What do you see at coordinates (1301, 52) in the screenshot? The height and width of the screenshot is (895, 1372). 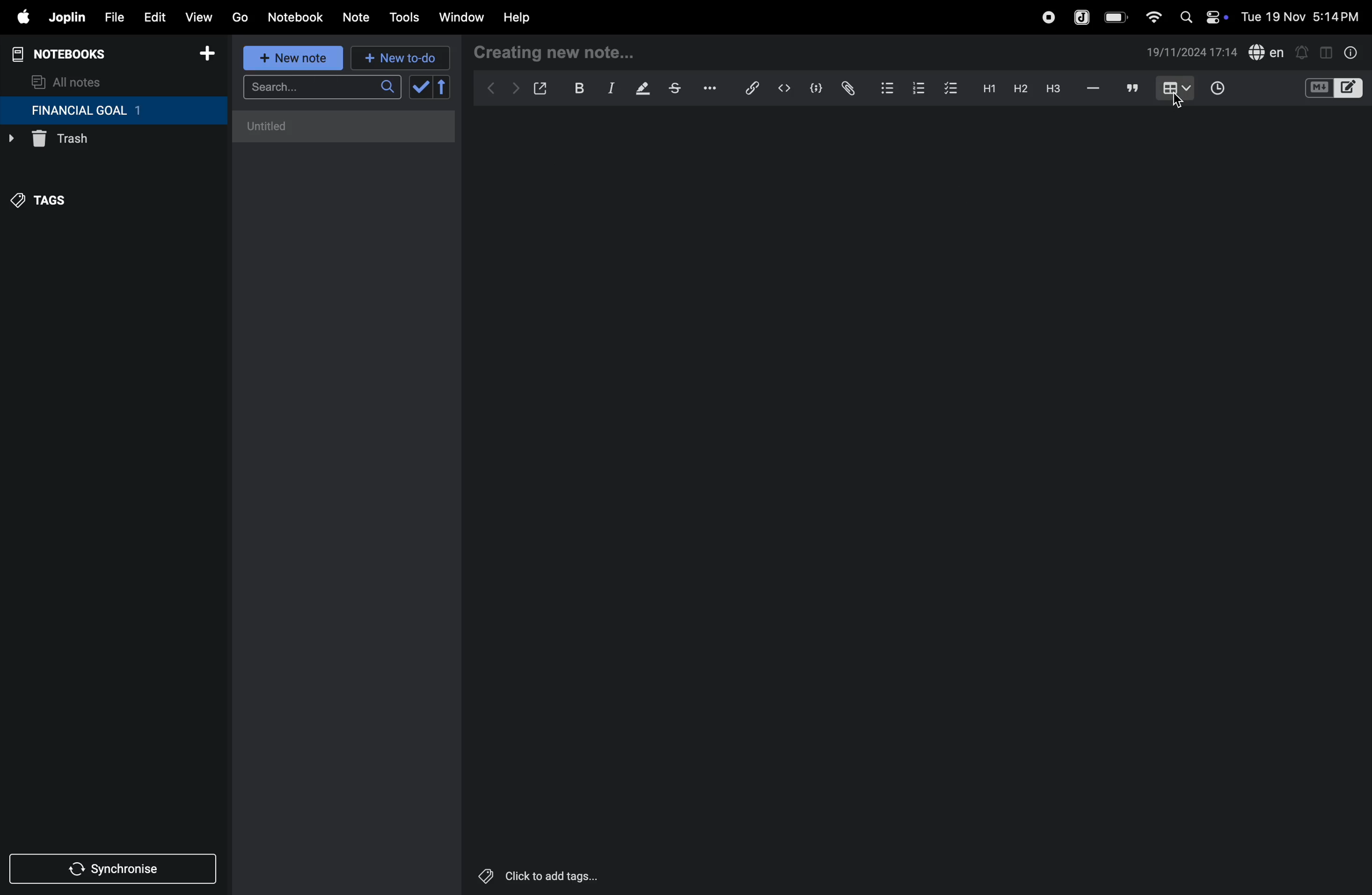 I see `alert` at bounding box center [1301, 52].